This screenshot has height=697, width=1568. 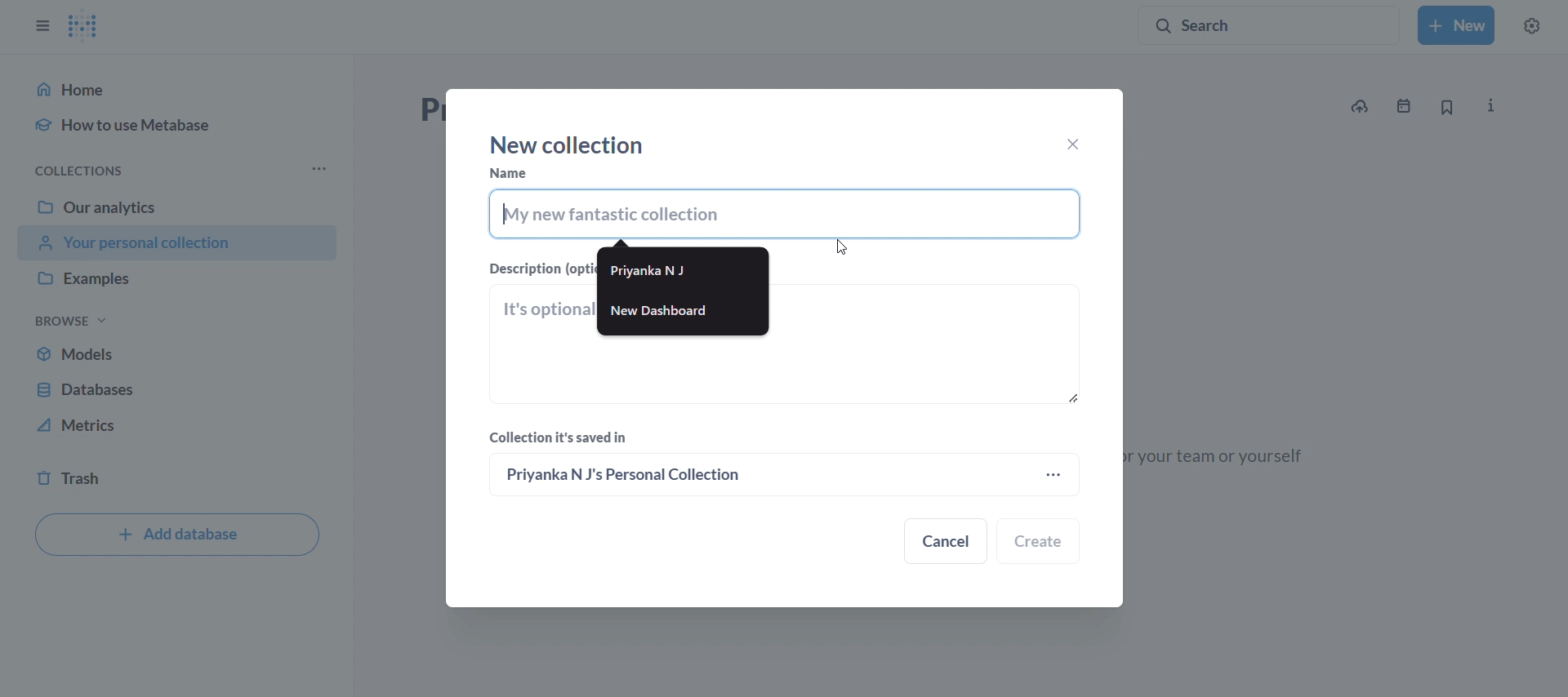 I want to click on Cancel, so click(x=947, y=542).